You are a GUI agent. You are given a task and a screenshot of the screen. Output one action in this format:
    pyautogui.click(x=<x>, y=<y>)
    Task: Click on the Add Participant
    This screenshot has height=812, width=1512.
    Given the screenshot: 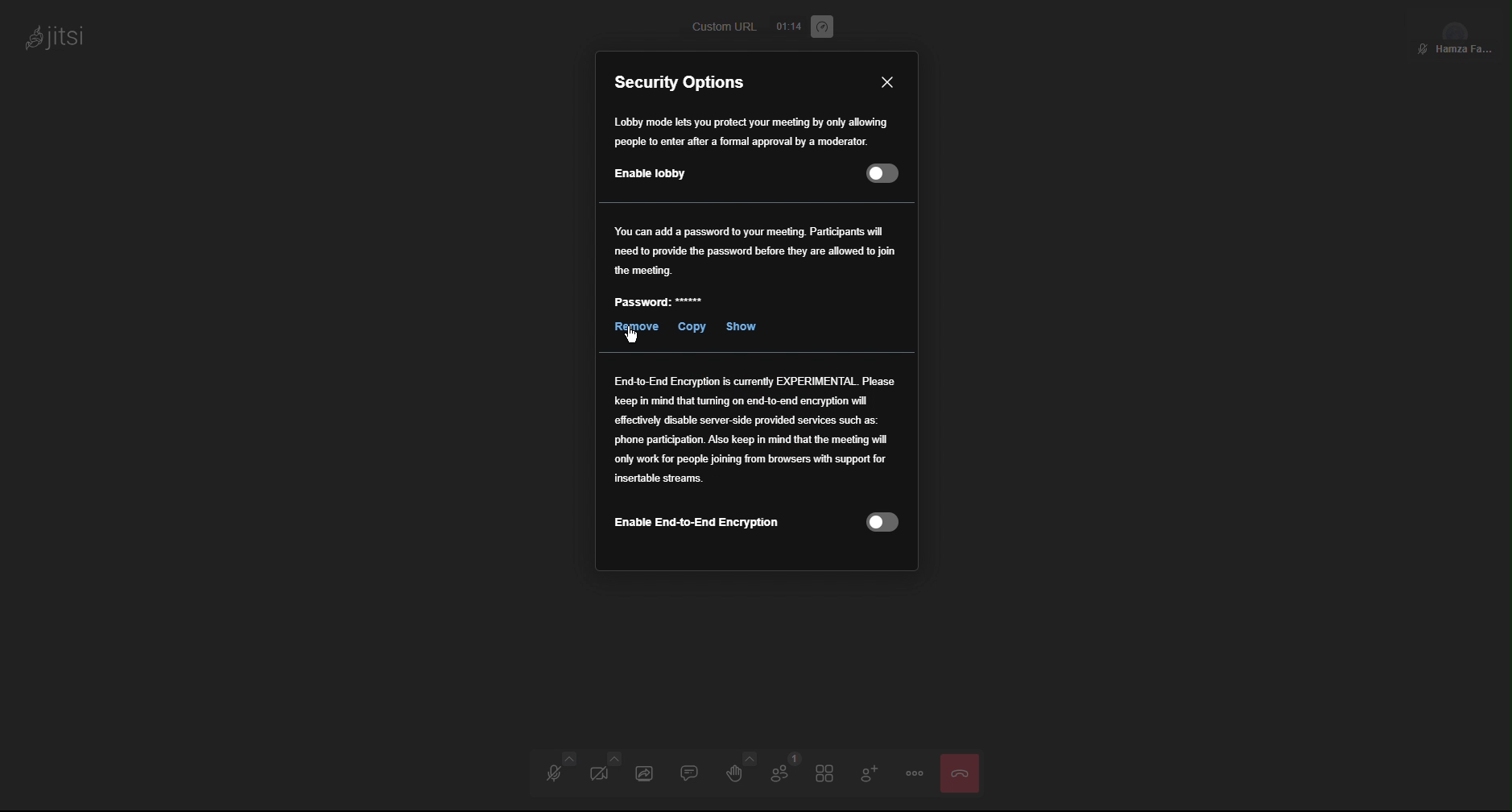 What is the action you would take?
    pyautogui.click(x=869, y=772)
    